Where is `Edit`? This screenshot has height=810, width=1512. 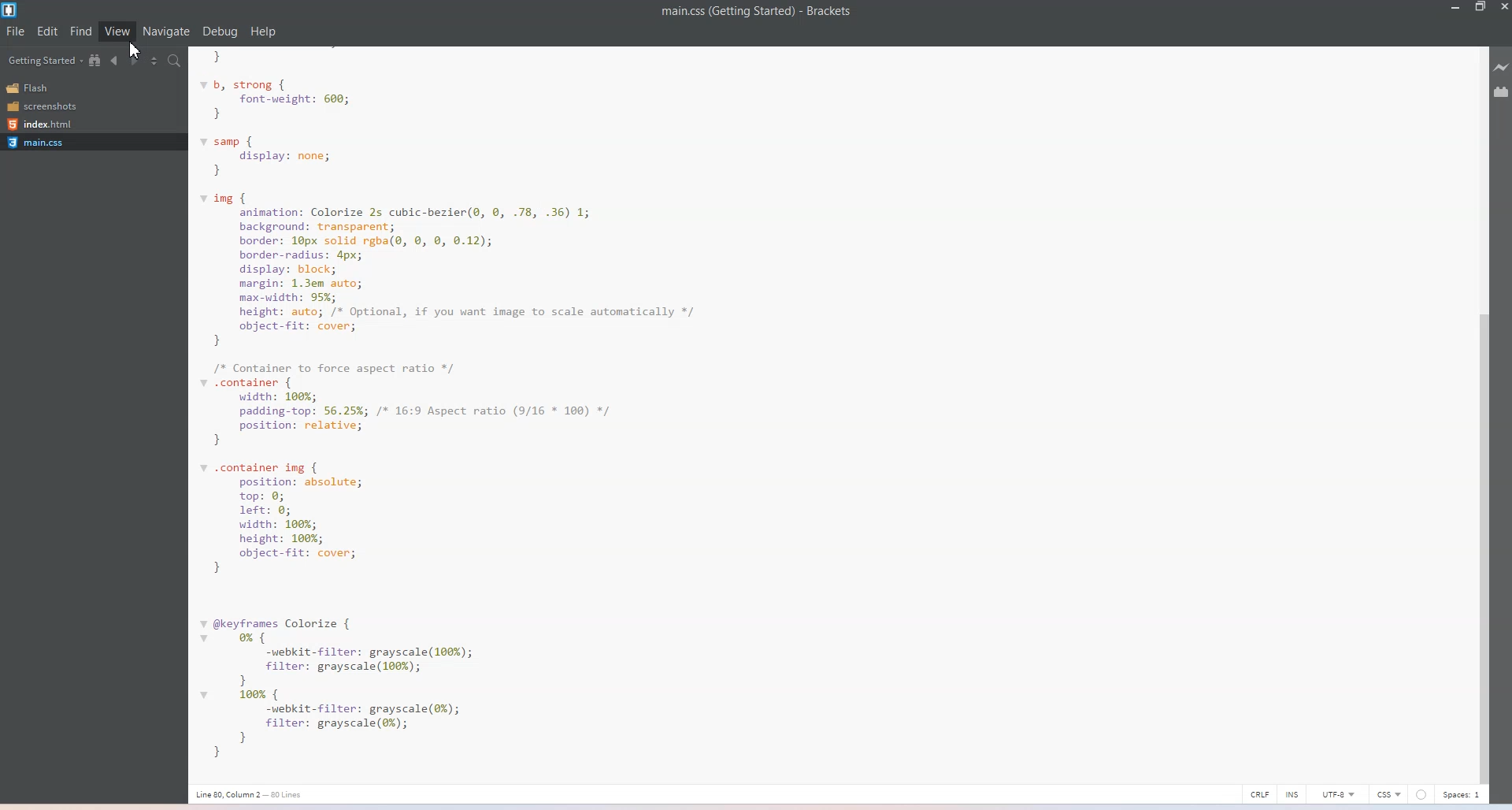 Edit is located at coordinates (47, 31).